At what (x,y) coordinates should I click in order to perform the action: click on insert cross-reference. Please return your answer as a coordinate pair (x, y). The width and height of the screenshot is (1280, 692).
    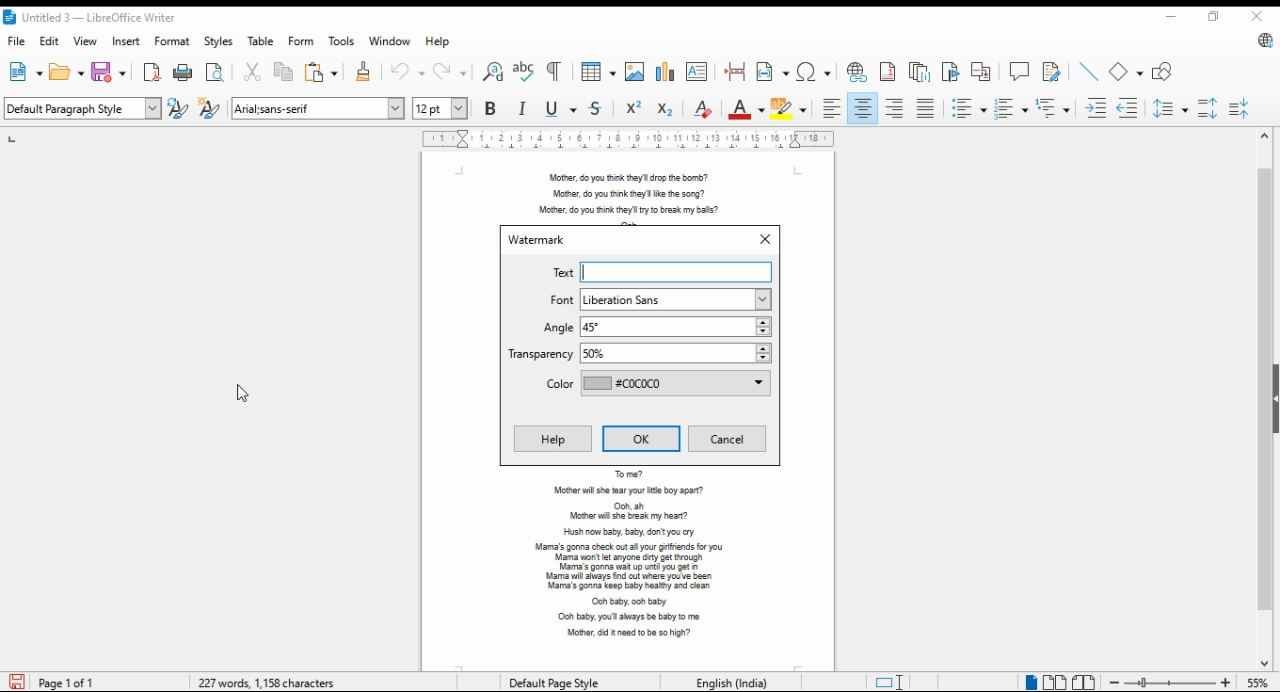
    Looking at the image, I should click on (981, 72).